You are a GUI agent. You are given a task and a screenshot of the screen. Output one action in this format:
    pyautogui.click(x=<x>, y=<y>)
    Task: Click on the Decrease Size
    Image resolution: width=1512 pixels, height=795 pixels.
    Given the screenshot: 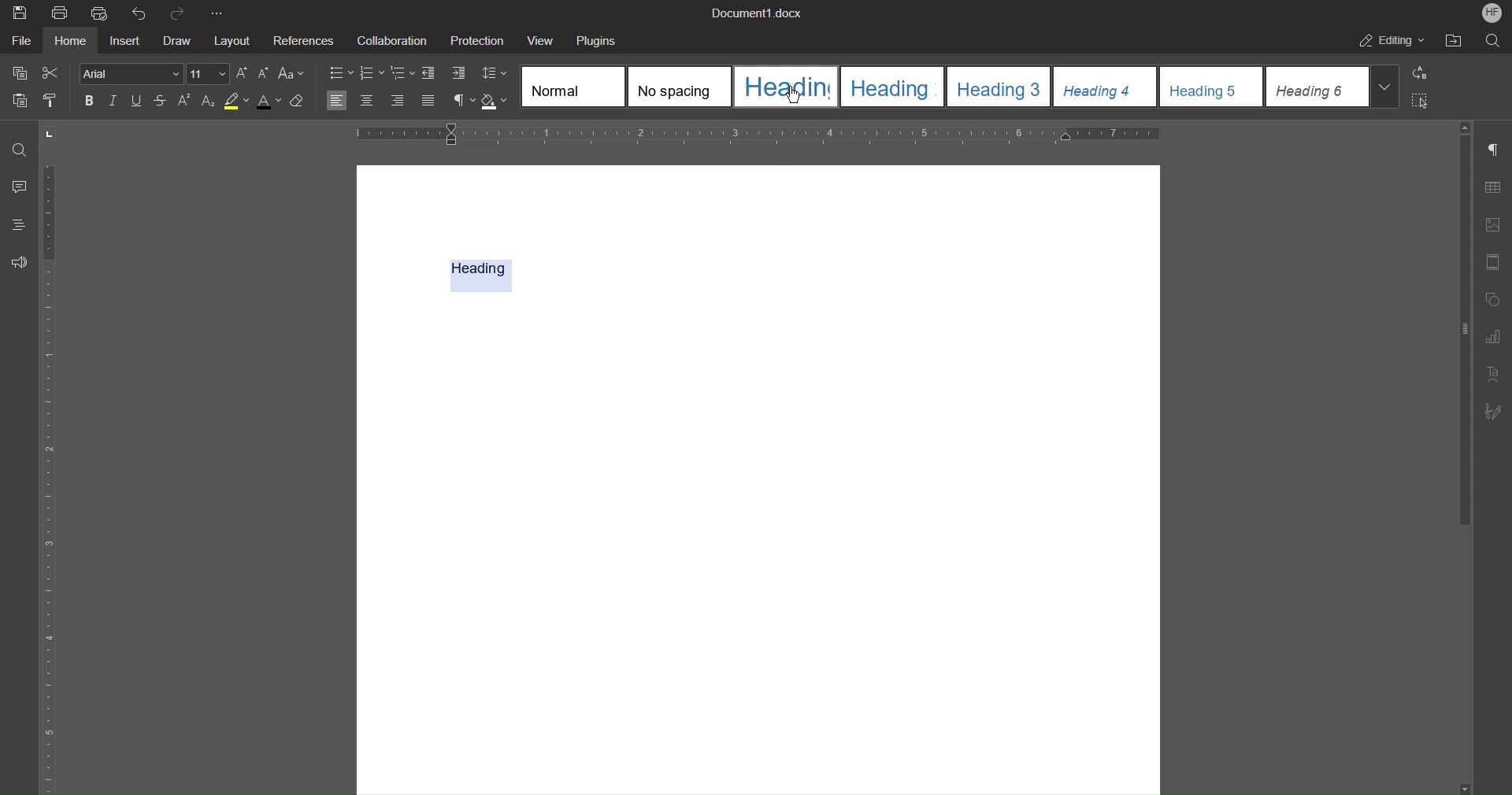 What is the action you would take?
    pyautogui.click(x=264, y=73)
    